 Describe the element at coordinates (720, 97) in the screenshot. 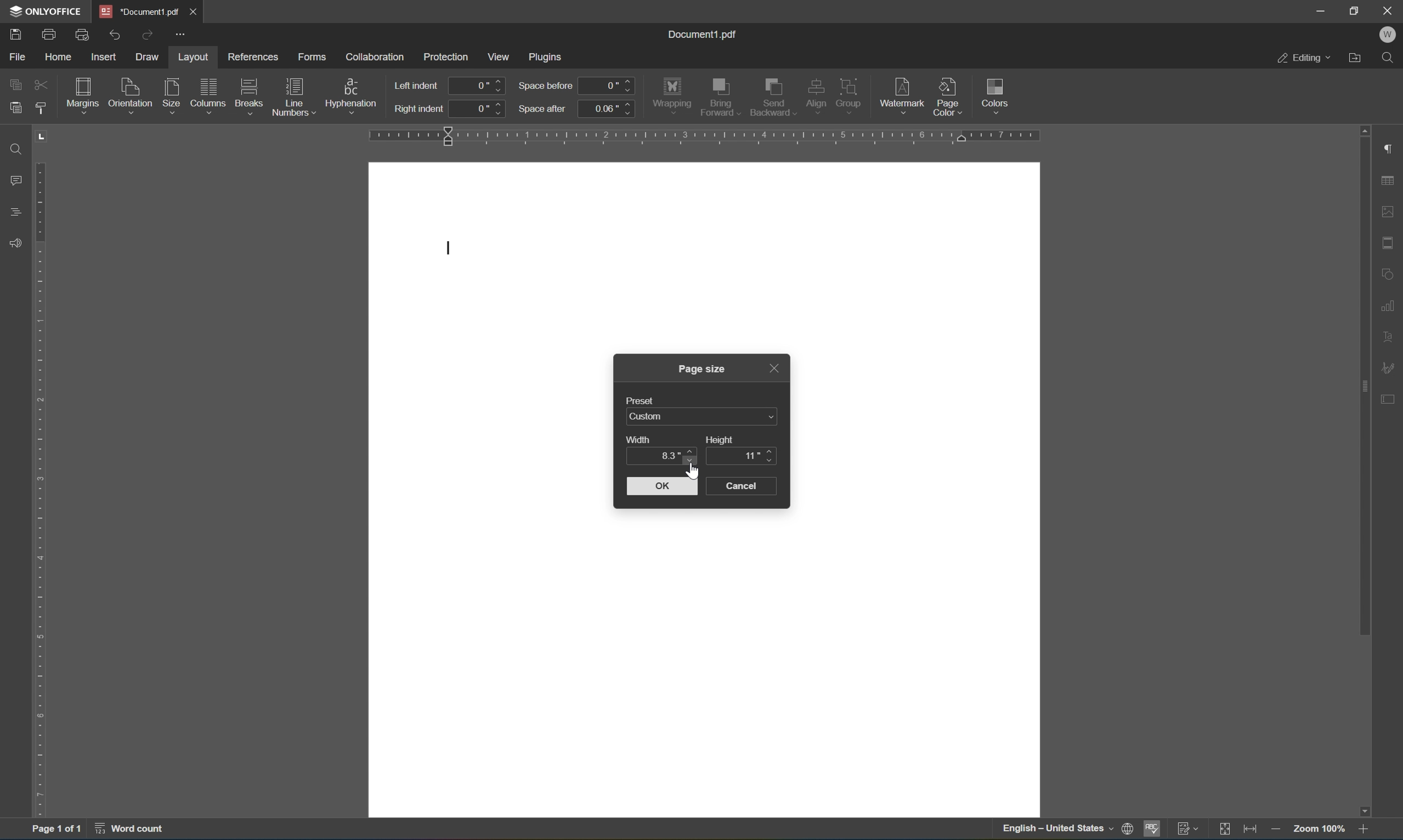

I see `bring forward` at that location.